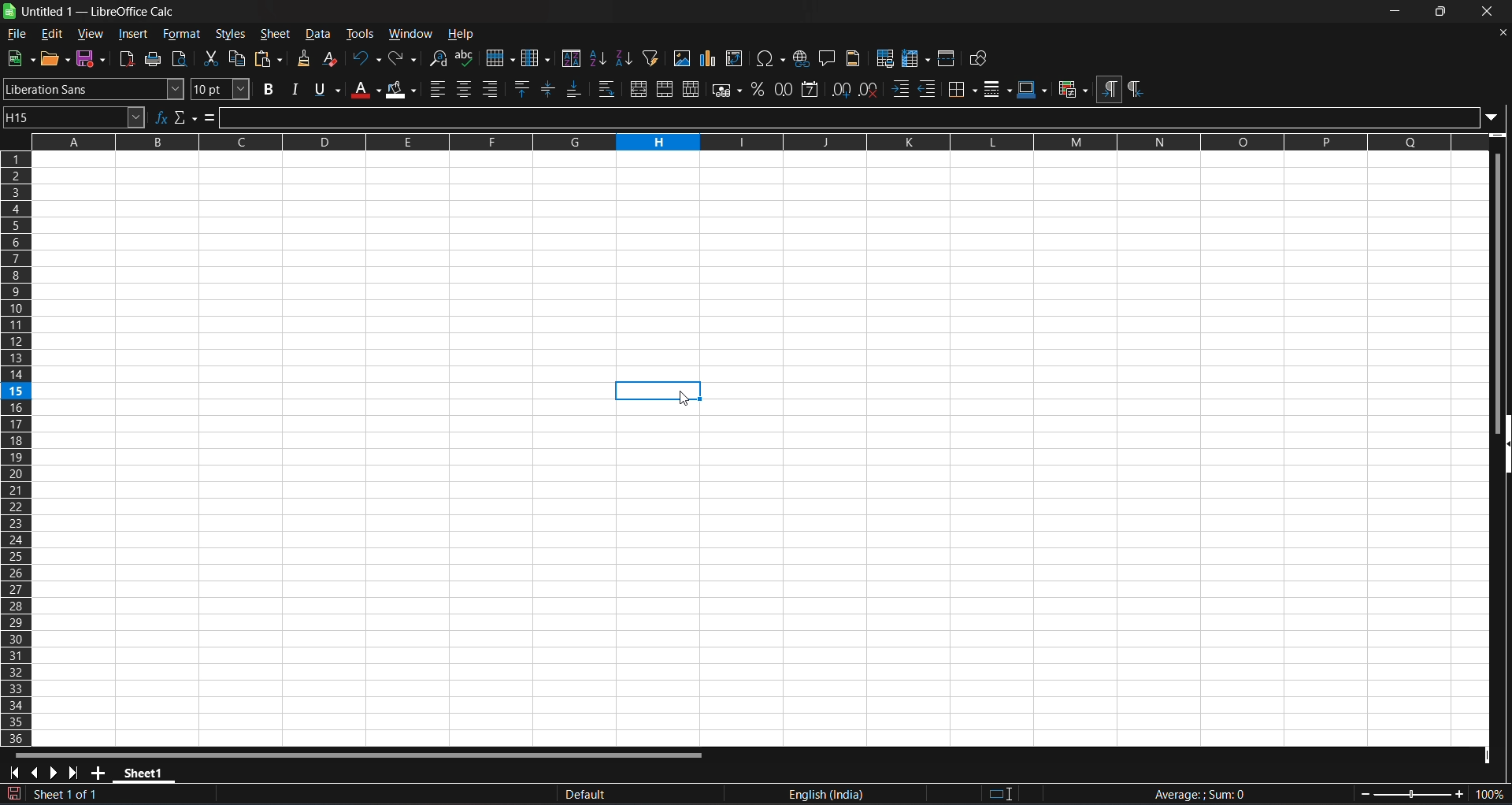 The height and width of the screenshot is (805, 1512). What do you see at coordinates (682, 399) in the screenshot?
I see `cursor` at bounding box center [682, 399].